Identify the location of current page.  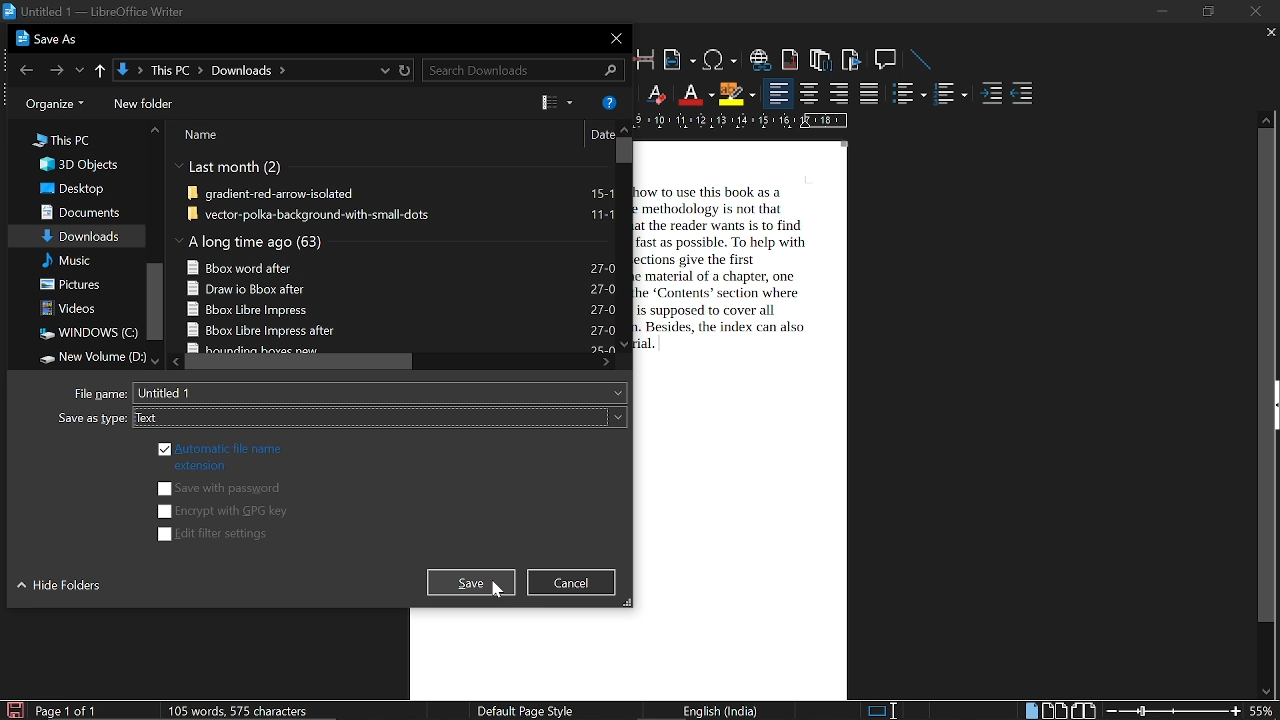
(66, 711).